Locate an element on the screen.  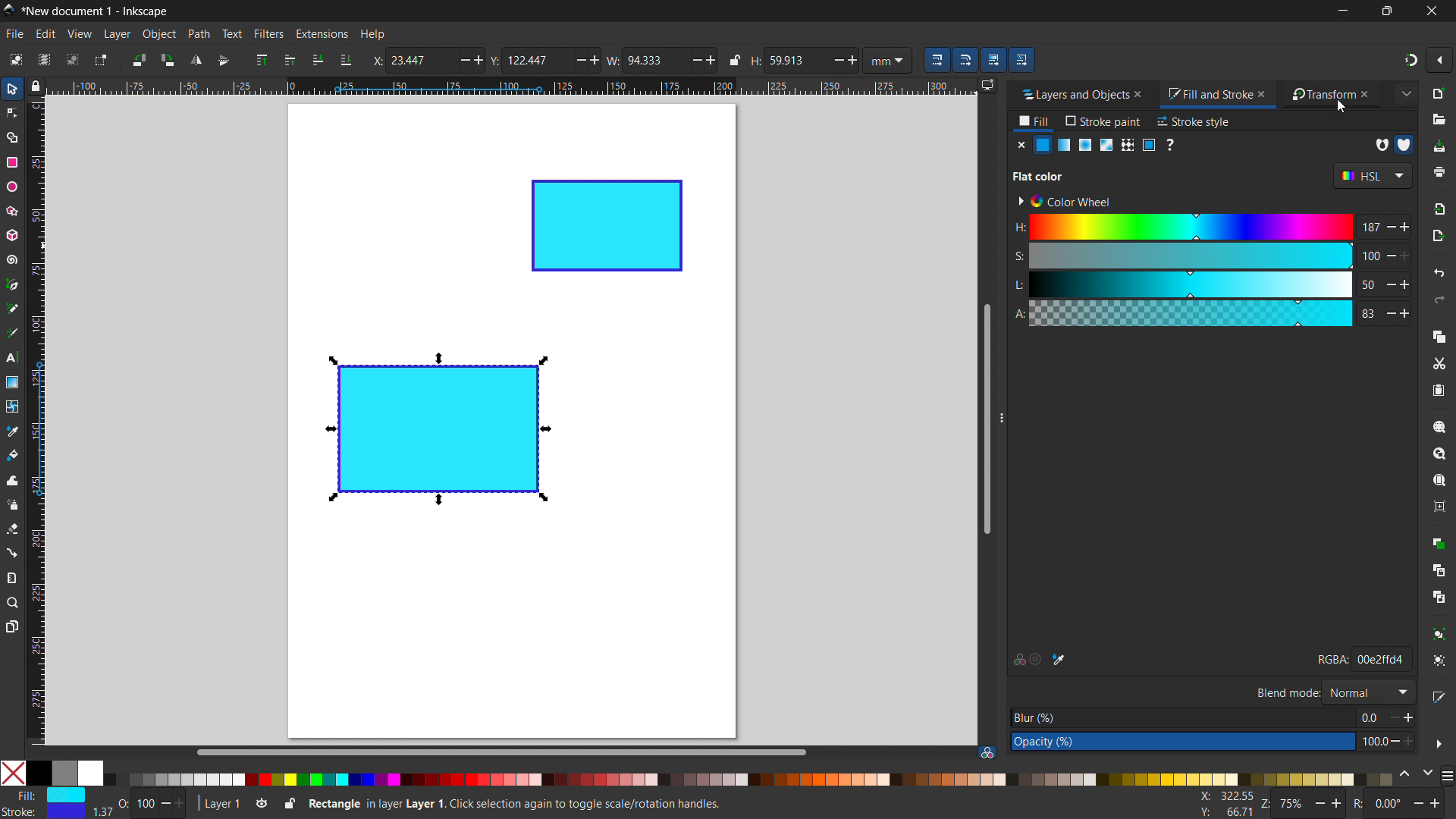
A: 83 is located at coordinates (1210, 312).